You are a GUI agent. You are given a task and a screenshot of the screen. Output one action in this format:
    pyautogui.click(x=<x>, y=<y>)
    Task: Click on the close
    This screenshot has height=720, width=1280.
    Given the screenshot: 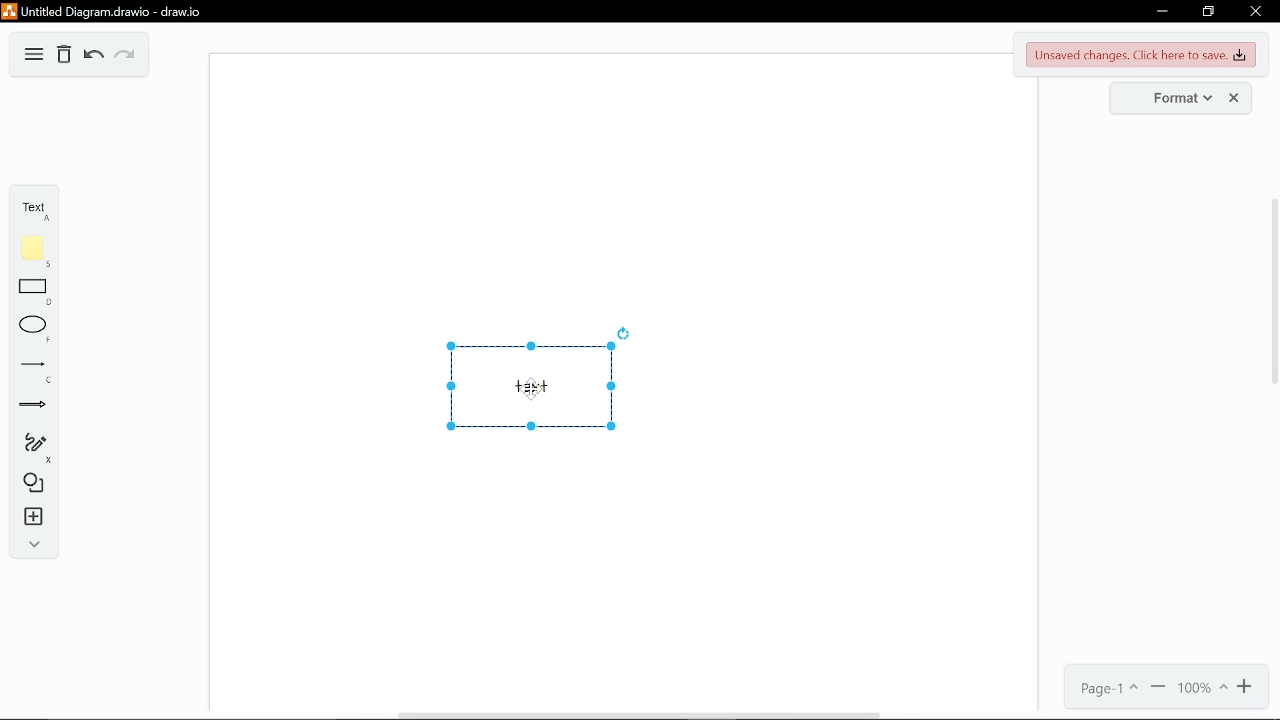 What is the action you would take?
    pyautogui.click(x=1235, y=98)
    